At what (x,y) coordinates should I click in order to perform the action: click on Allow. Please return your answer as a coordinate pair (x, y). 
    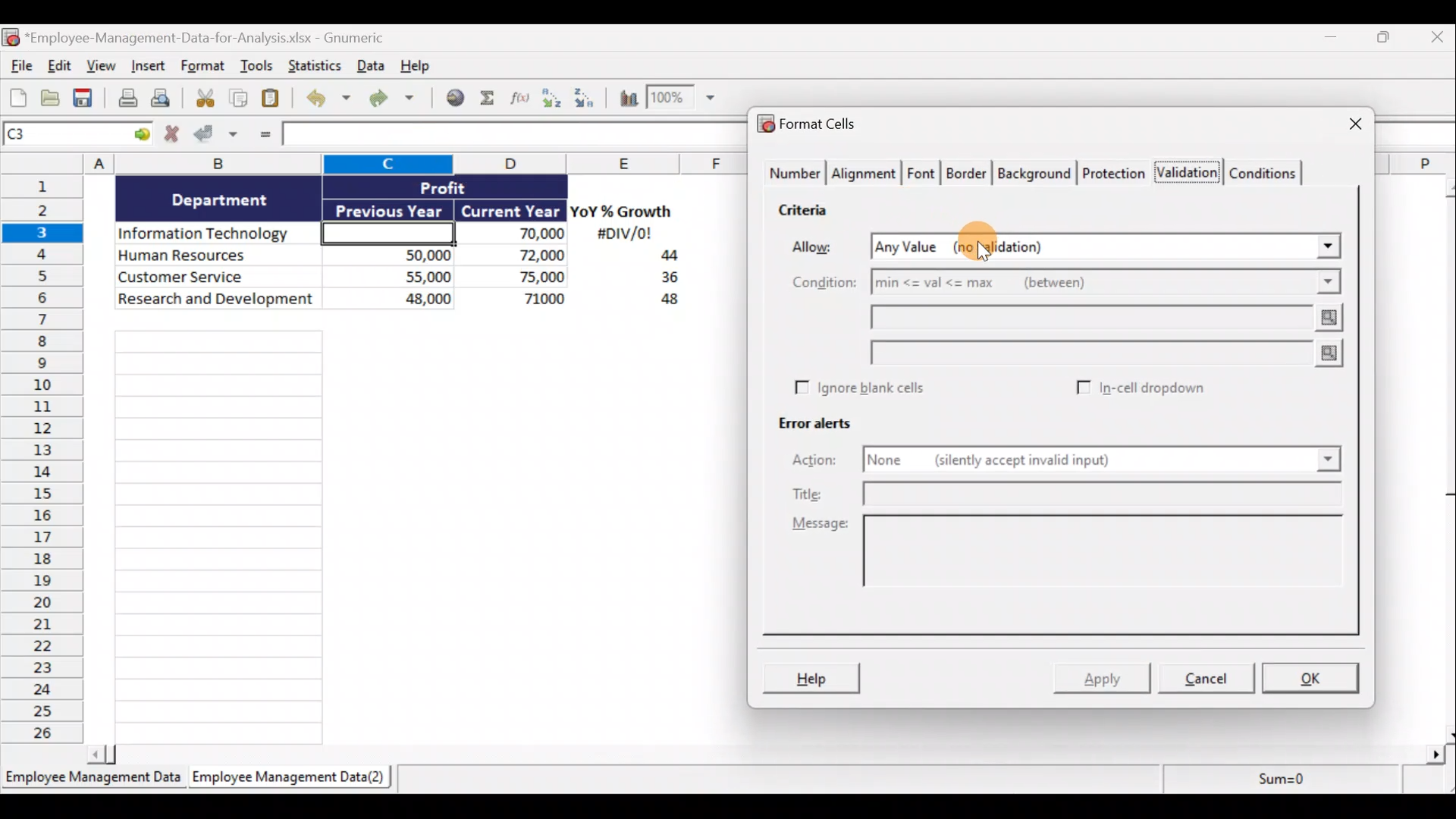
    Looking at the image, I should click on (823, 248).